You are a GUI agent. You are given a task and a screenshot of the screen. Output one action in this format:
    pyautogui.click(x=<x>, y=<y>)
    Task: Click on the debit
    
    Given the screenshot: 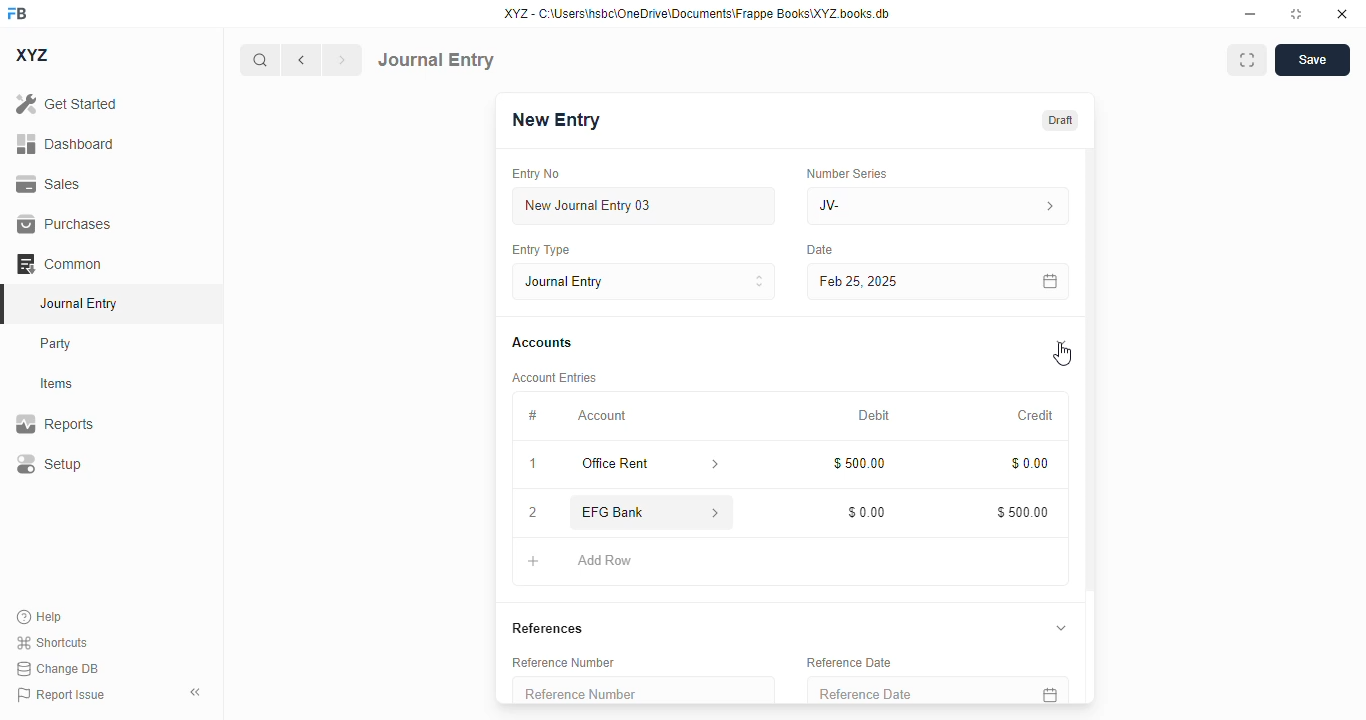 What is the action you would take?
    pyautogui.click(x=875, y=417)
    